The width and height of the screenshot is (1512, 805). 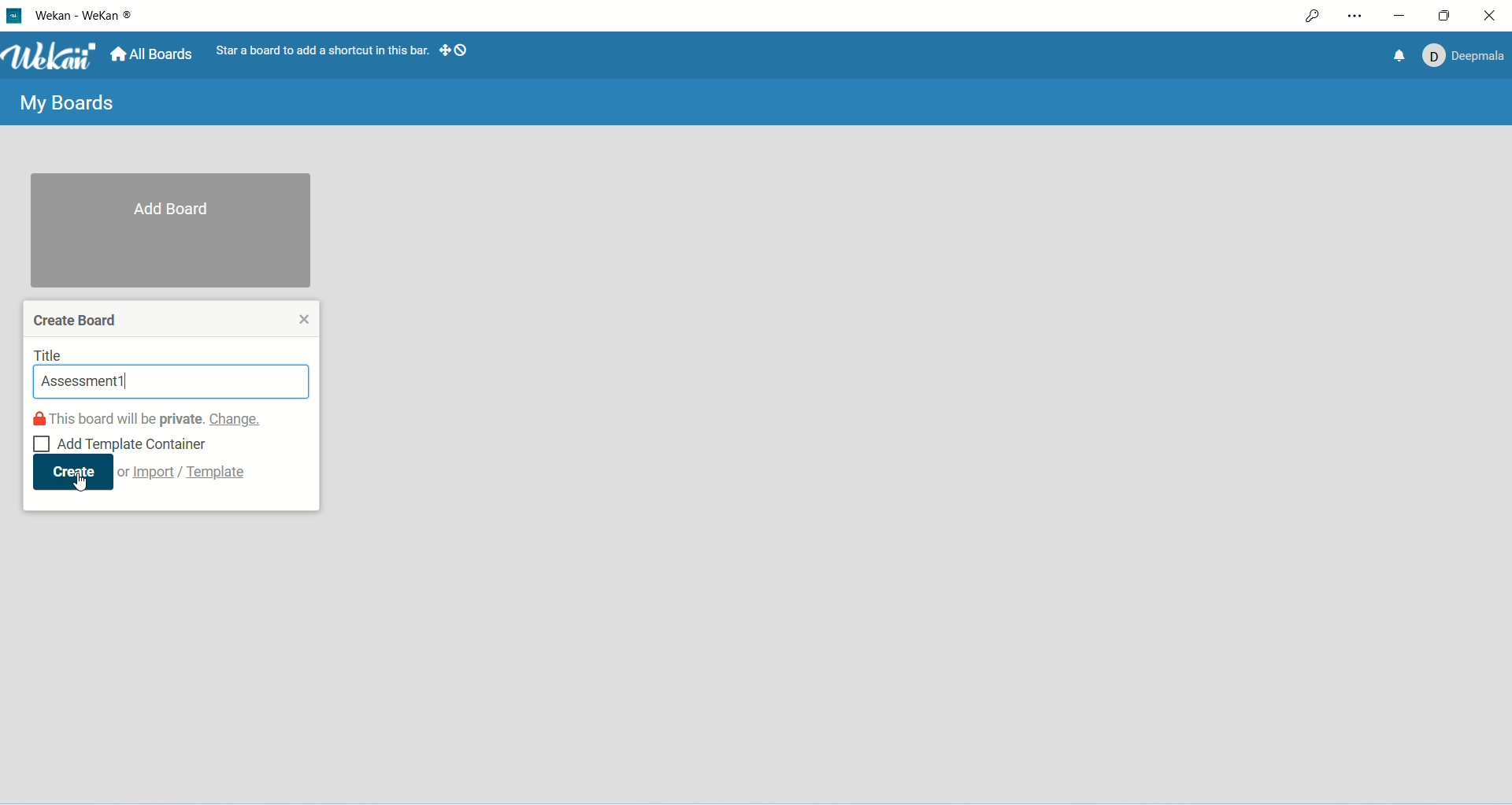 I want to click on Wekan logo, so click(x=49, y=56).